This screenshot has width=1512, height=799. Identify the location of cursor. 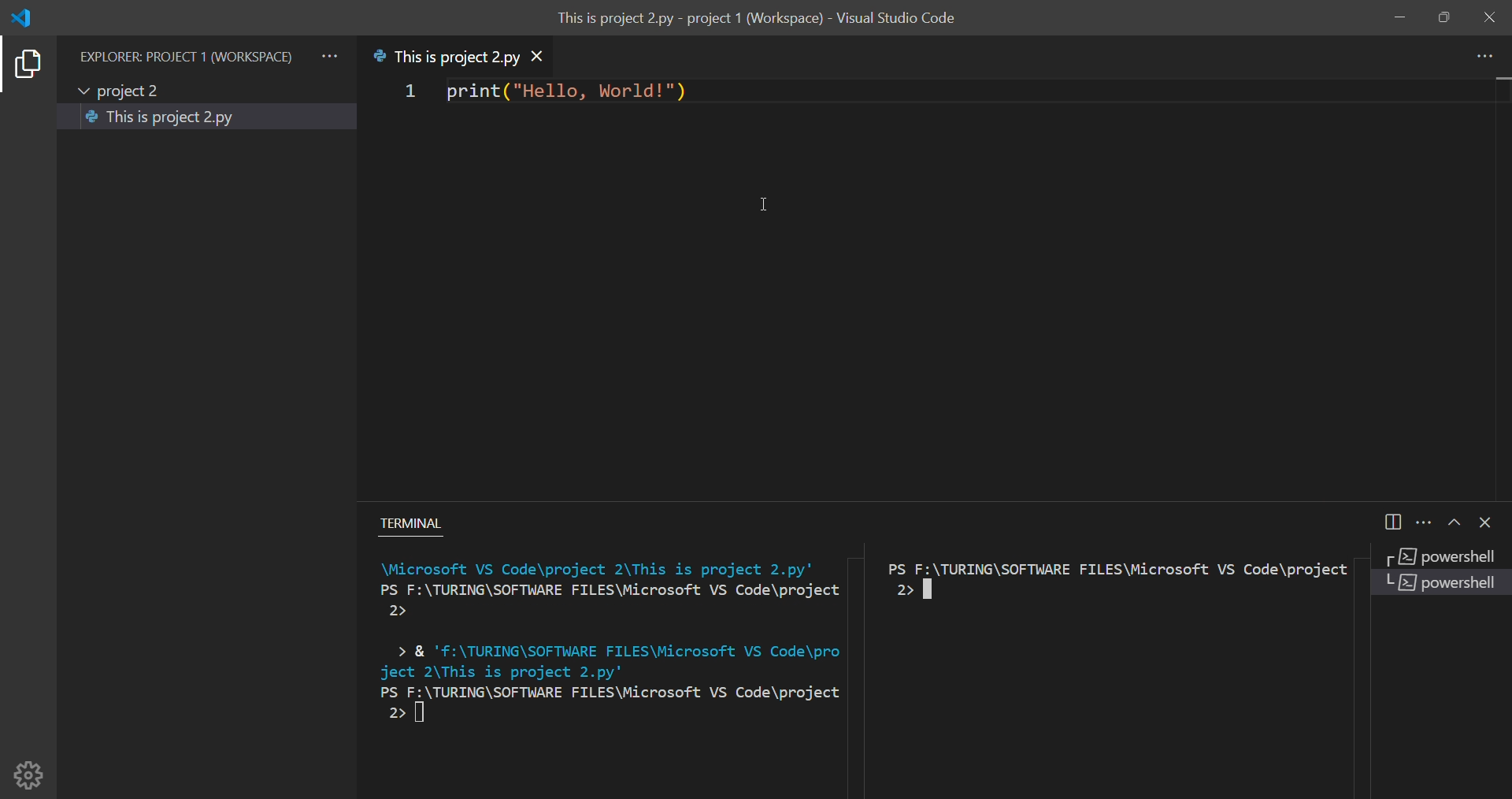
(756, 206).